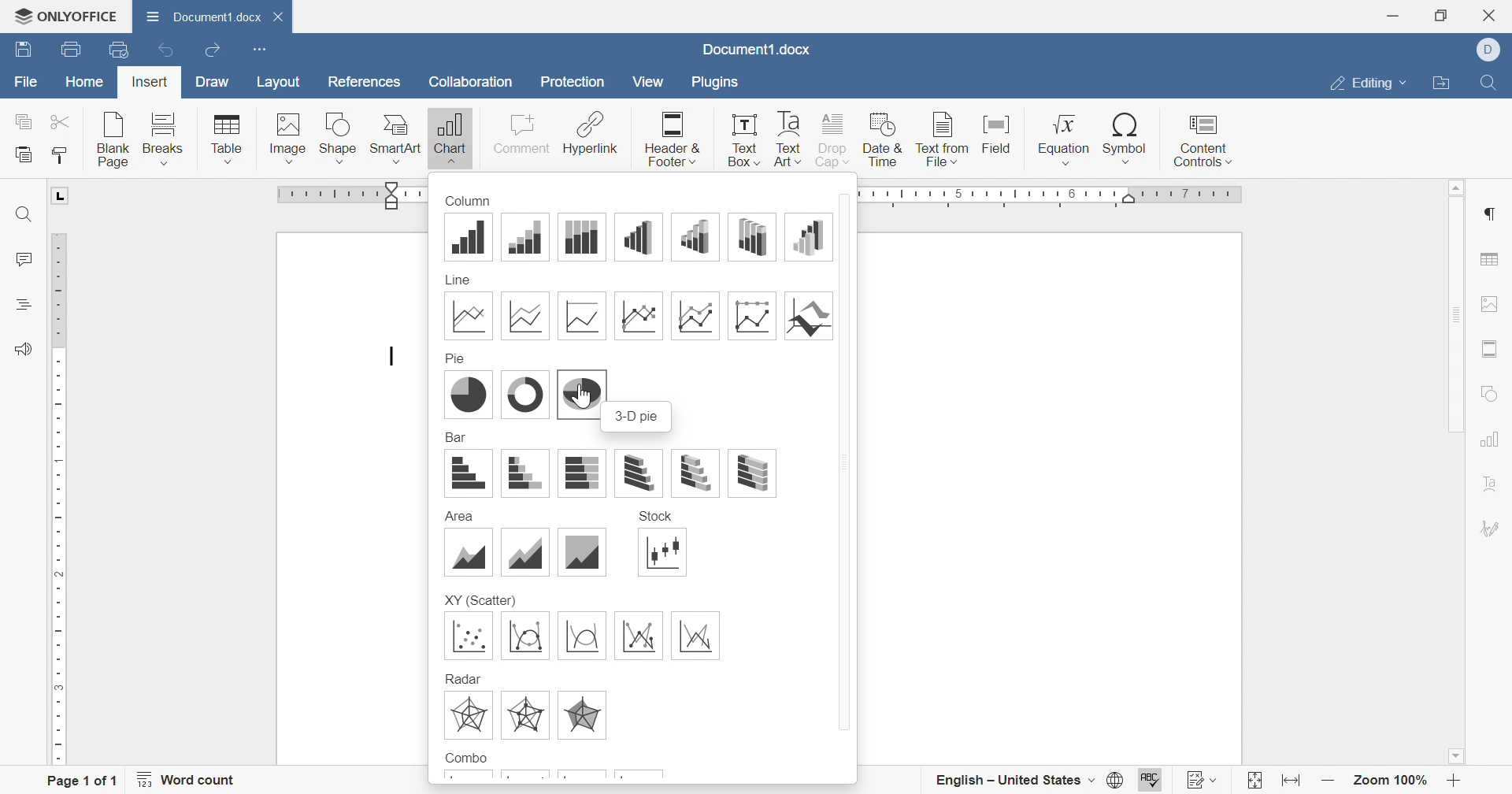 The height and width of the screenshot is (794, 1512). Describe the element at coordinates (150, 82) in the screenshot. I see `Insert` at that location.